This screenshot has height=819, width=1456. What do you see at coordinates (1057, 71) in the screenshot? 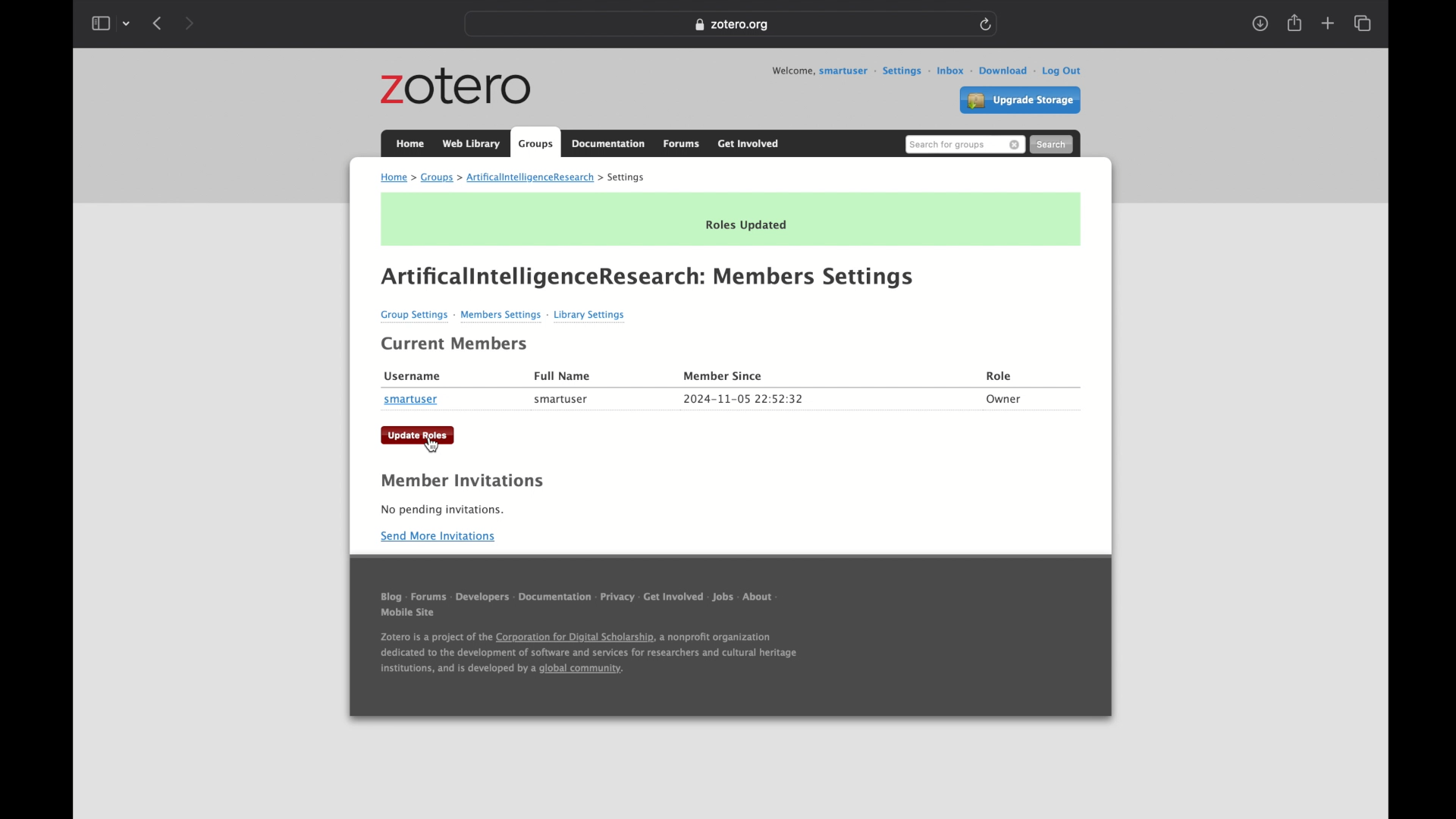
I see `log out` at bounding box center [1057, 71].